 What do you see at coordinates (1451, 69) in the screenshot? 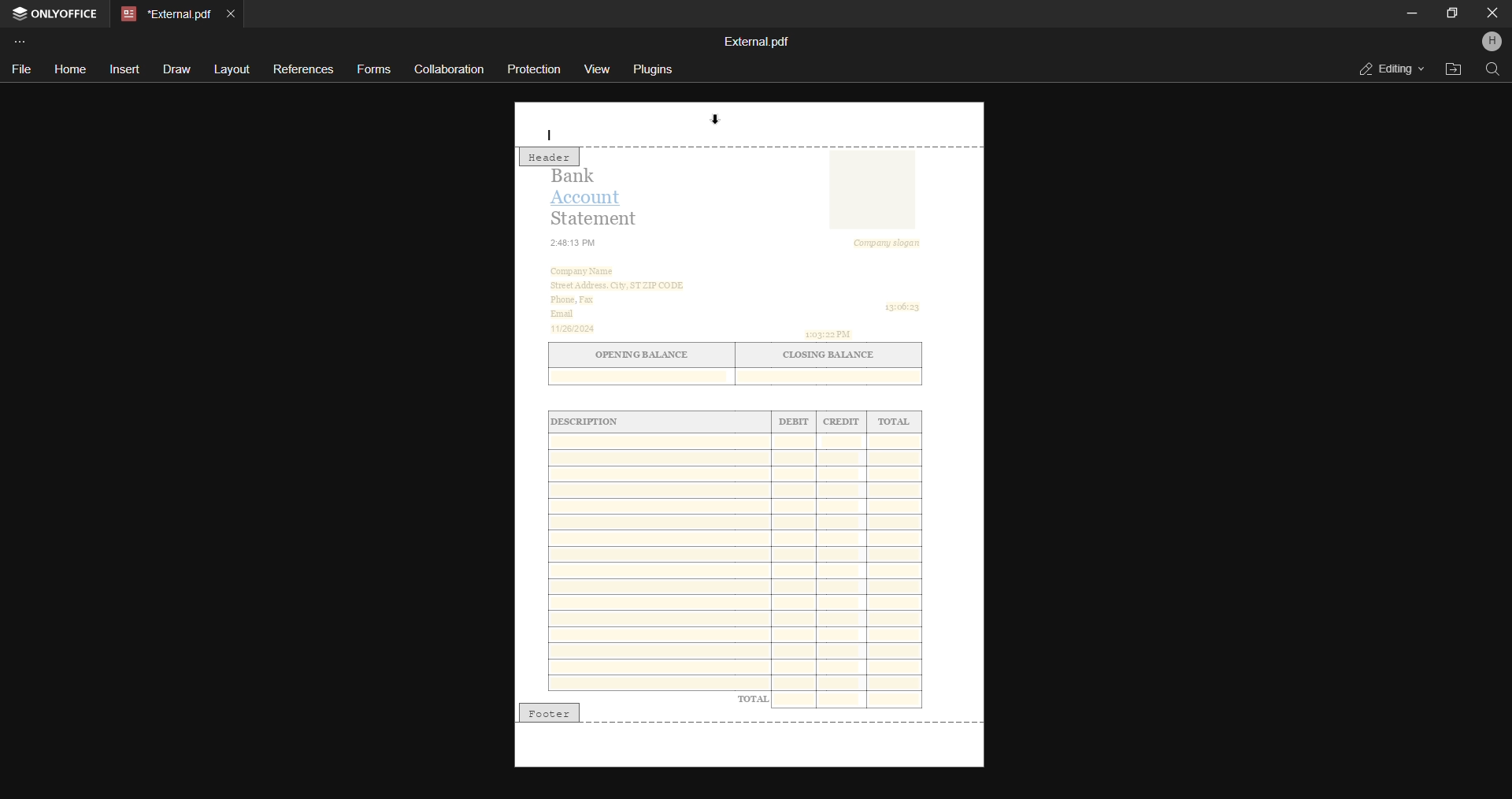
I see `open file location` at bounding box center [1451, 69].